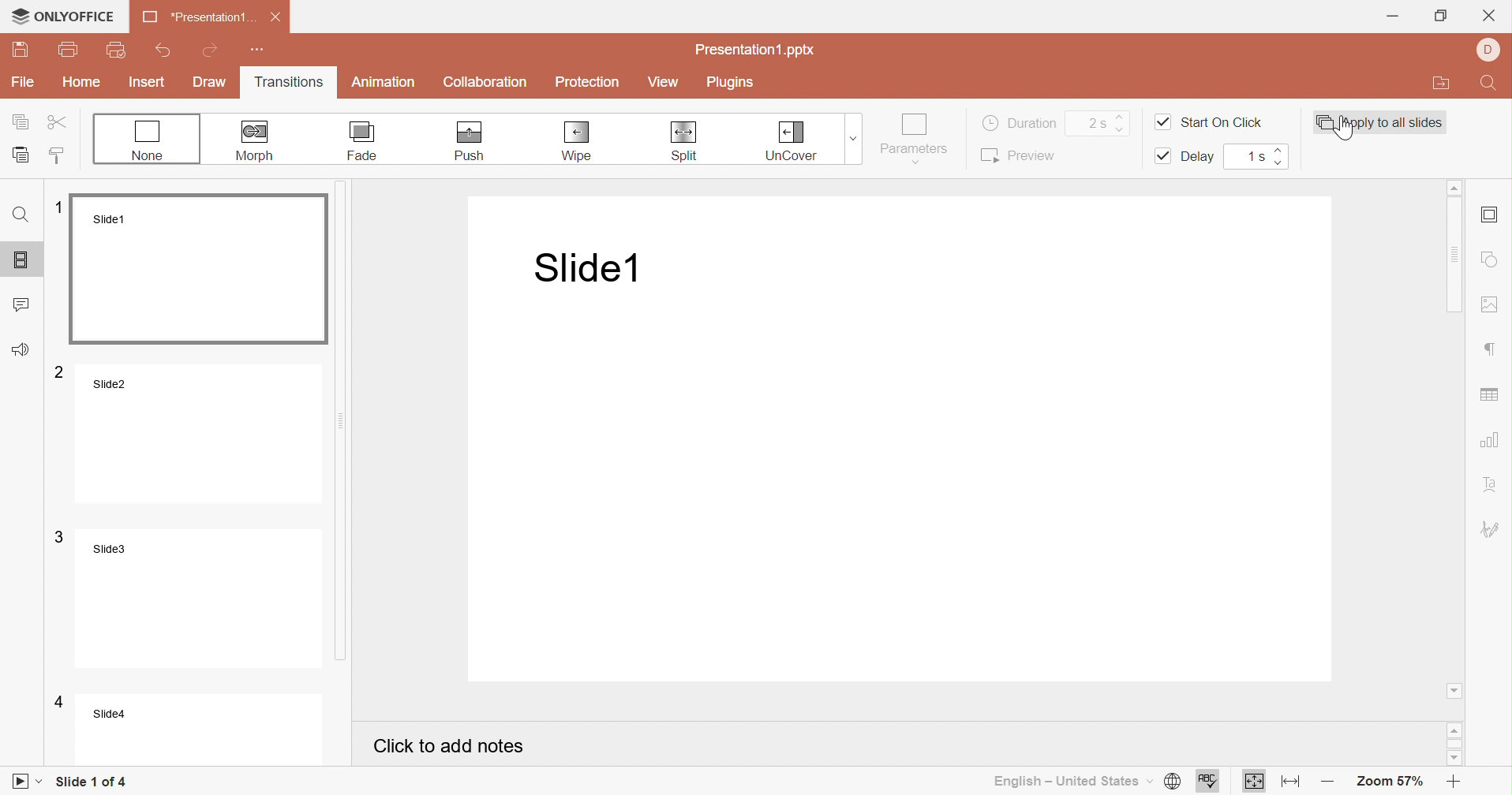 Image resolution: width=1512 pixels, height=795 pixels. I want to click on Slide 1 of 4, so click(91, 782).